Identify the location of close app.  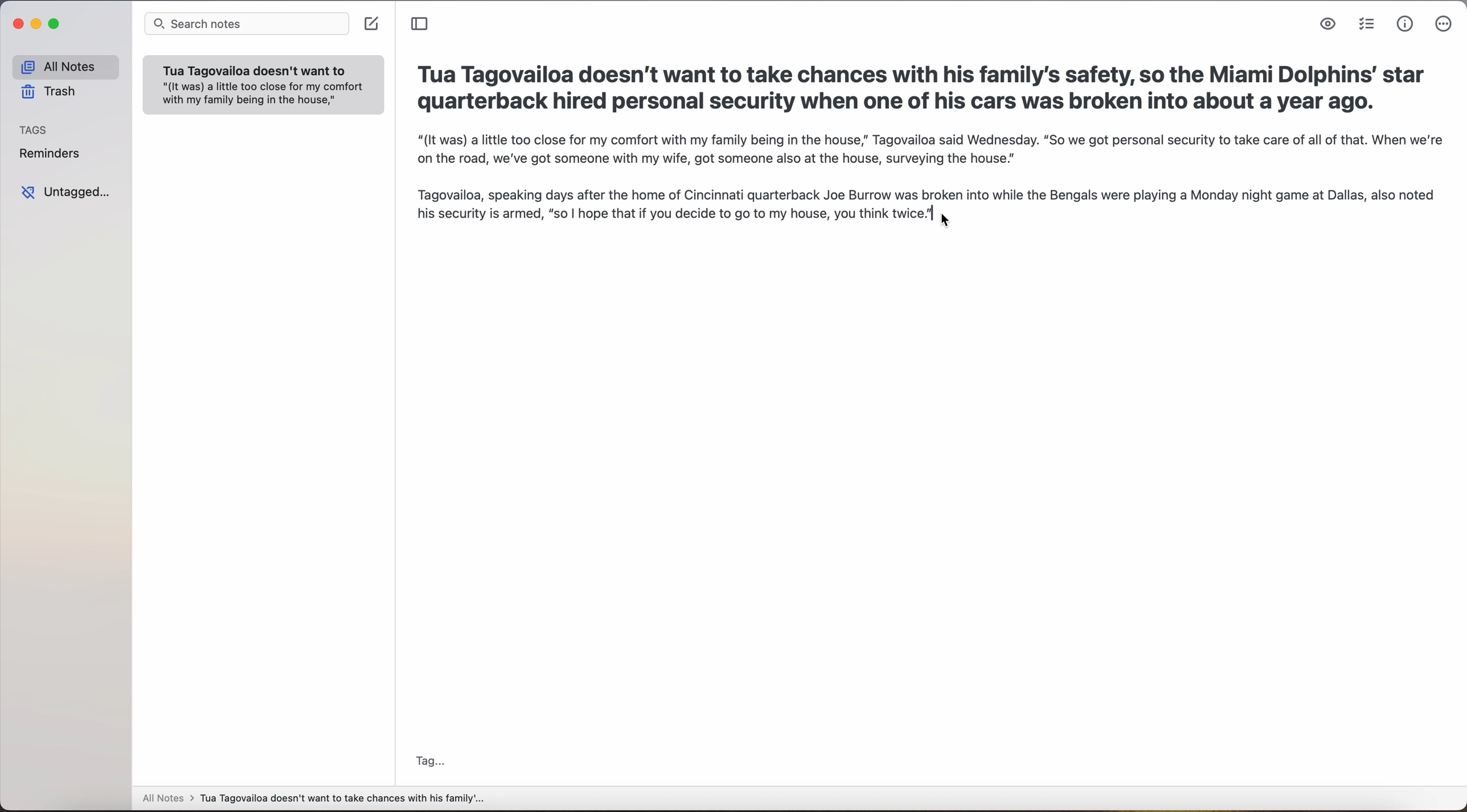
(17, 26).